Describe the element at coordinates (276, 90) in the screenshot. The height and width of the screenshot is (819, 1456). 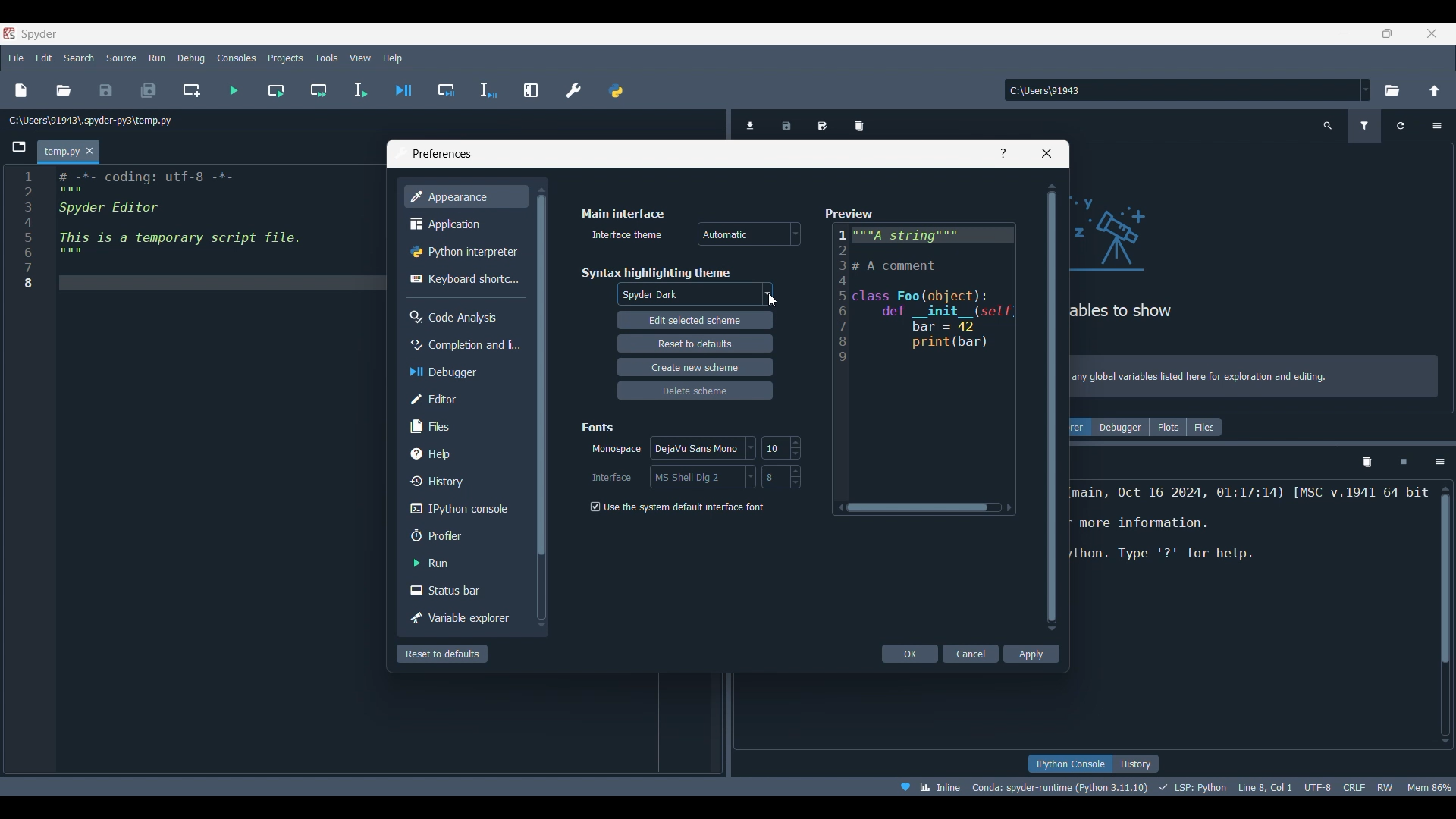
I see `Run current cell` at that location.